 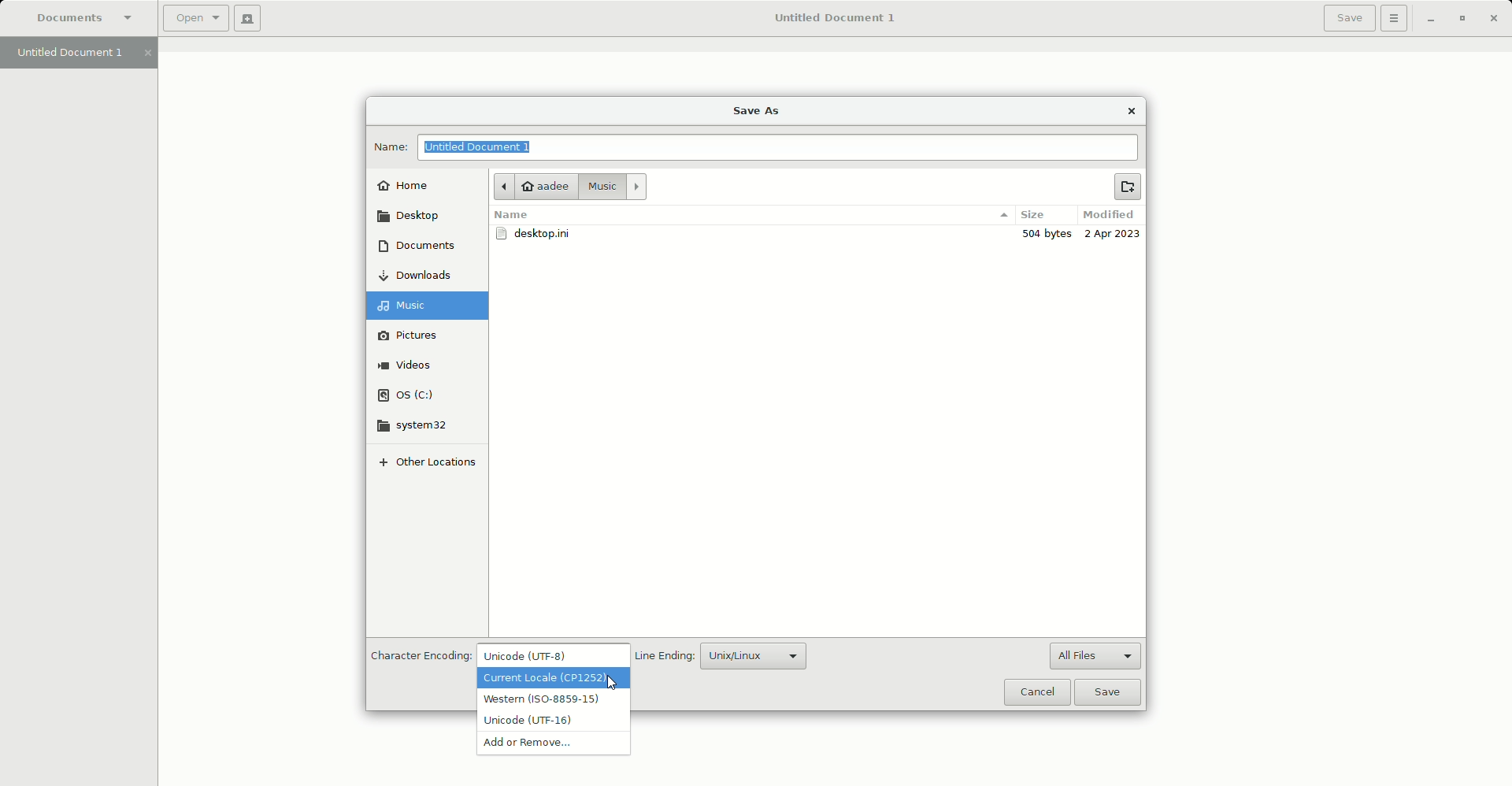 I want to click on Restore, so click(x=1462, y=18).